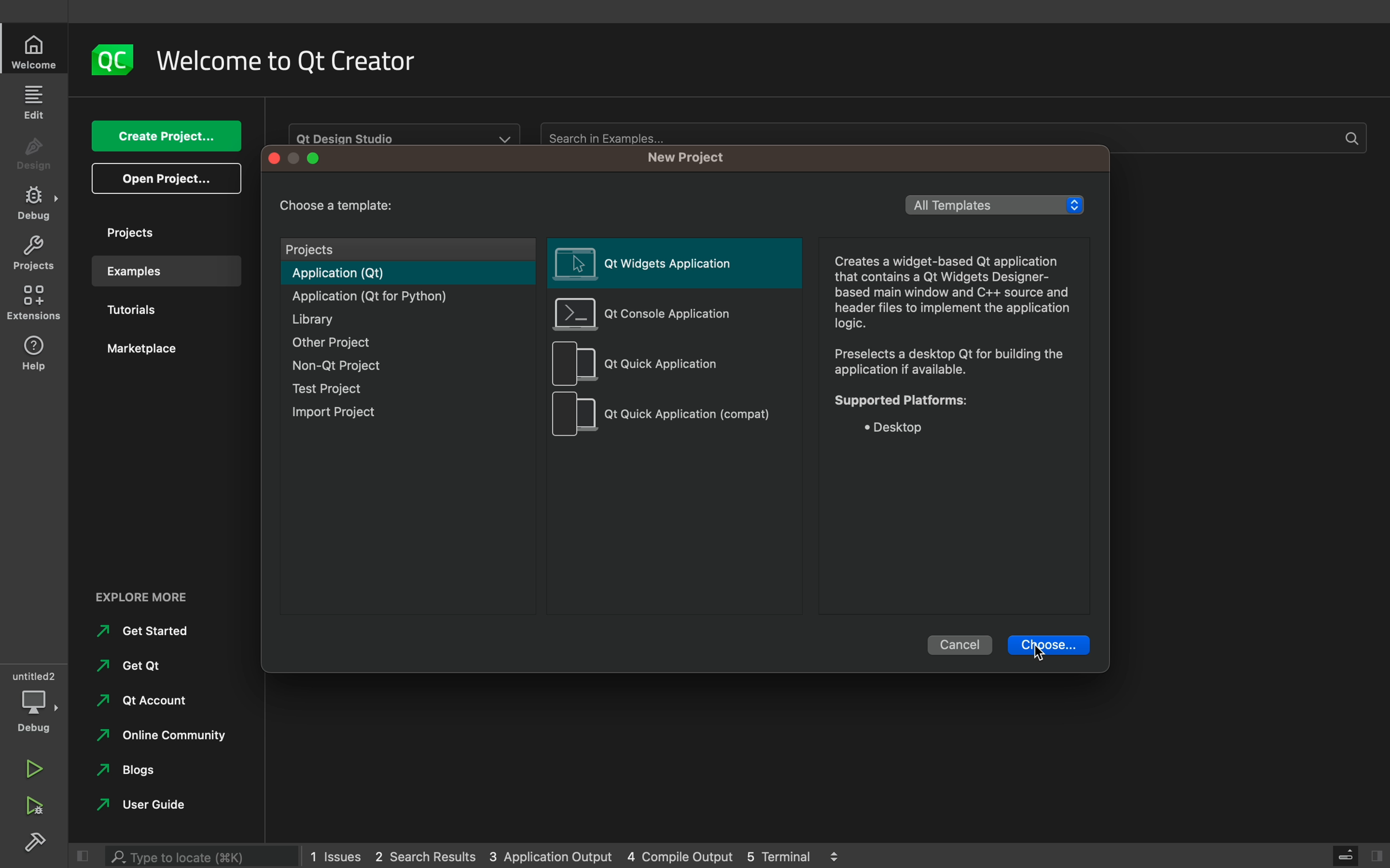 Image resolution: width=1390 pixels, height=868 pixels. Describe the element at coordinates (87, 857) in the screenshot. I see `close slide bar` at that location.